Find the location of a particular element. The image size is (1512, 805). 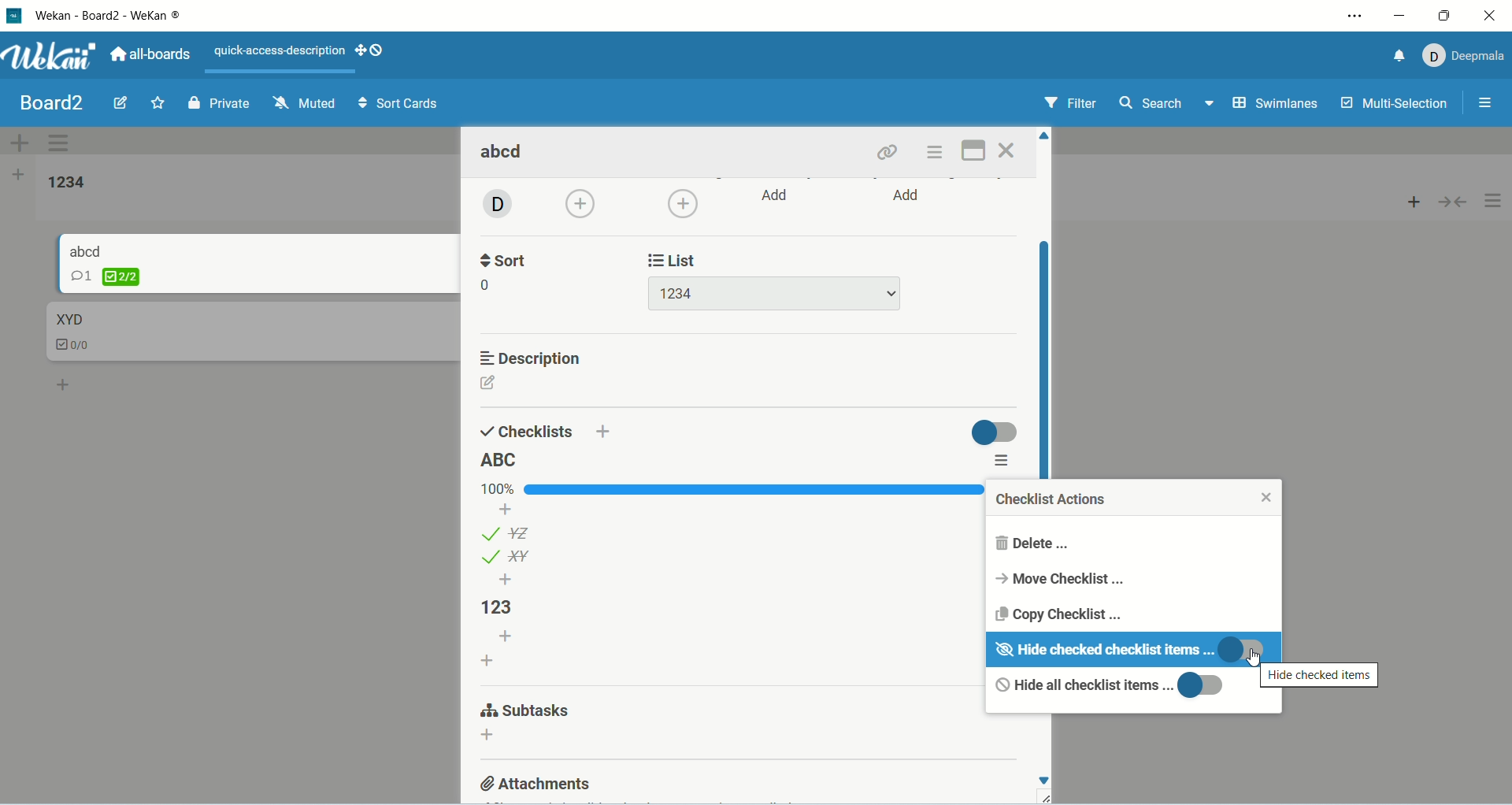

notification is located at coordinates (1395, 58).